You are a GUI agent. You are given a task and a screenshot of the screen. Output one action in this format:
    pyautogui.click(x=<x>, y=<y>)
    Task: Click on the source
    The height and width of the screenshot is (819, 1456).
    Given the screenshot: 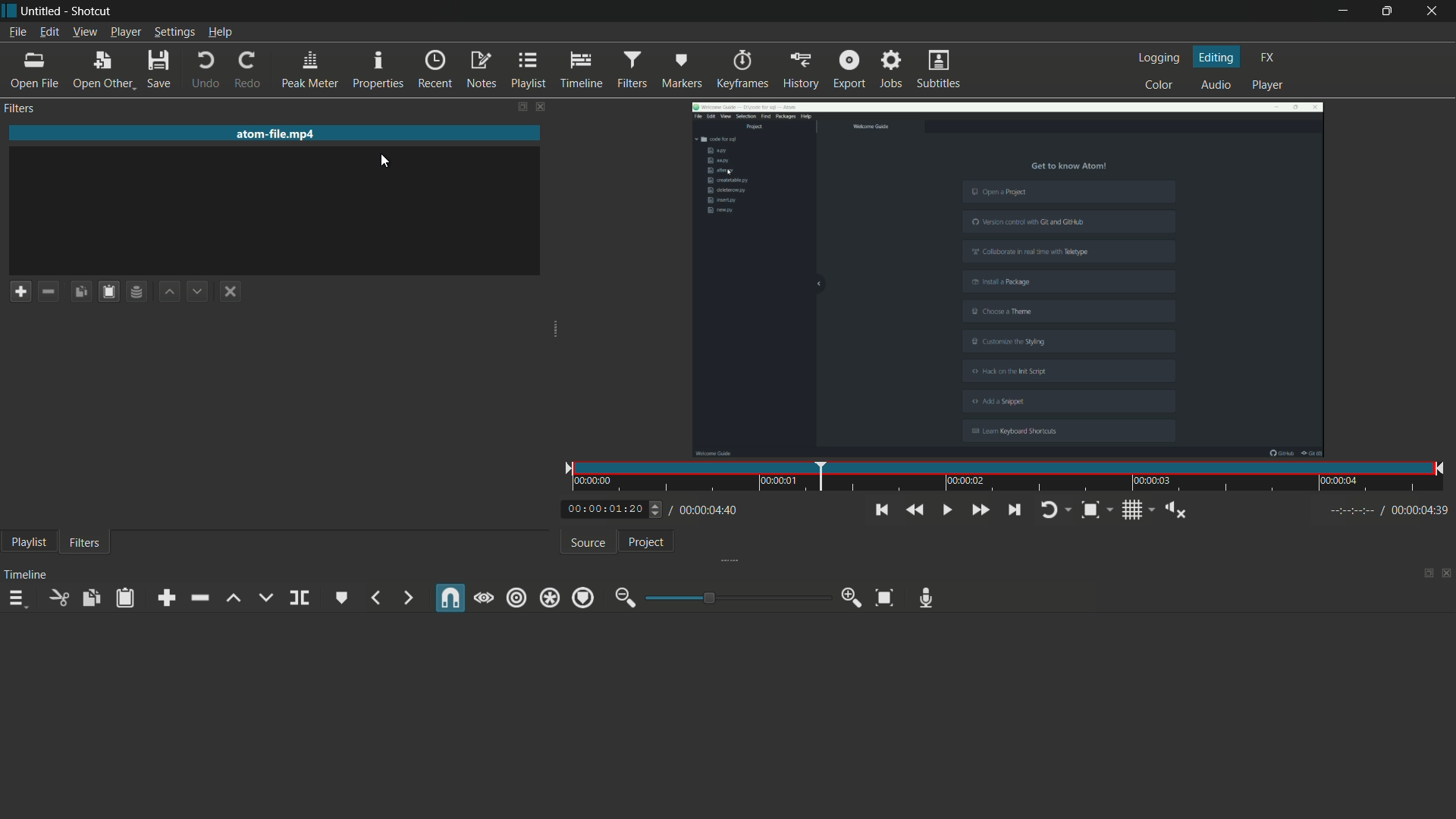 What is the action you would take?
    pyautogui.click(x=588, y=542)
    